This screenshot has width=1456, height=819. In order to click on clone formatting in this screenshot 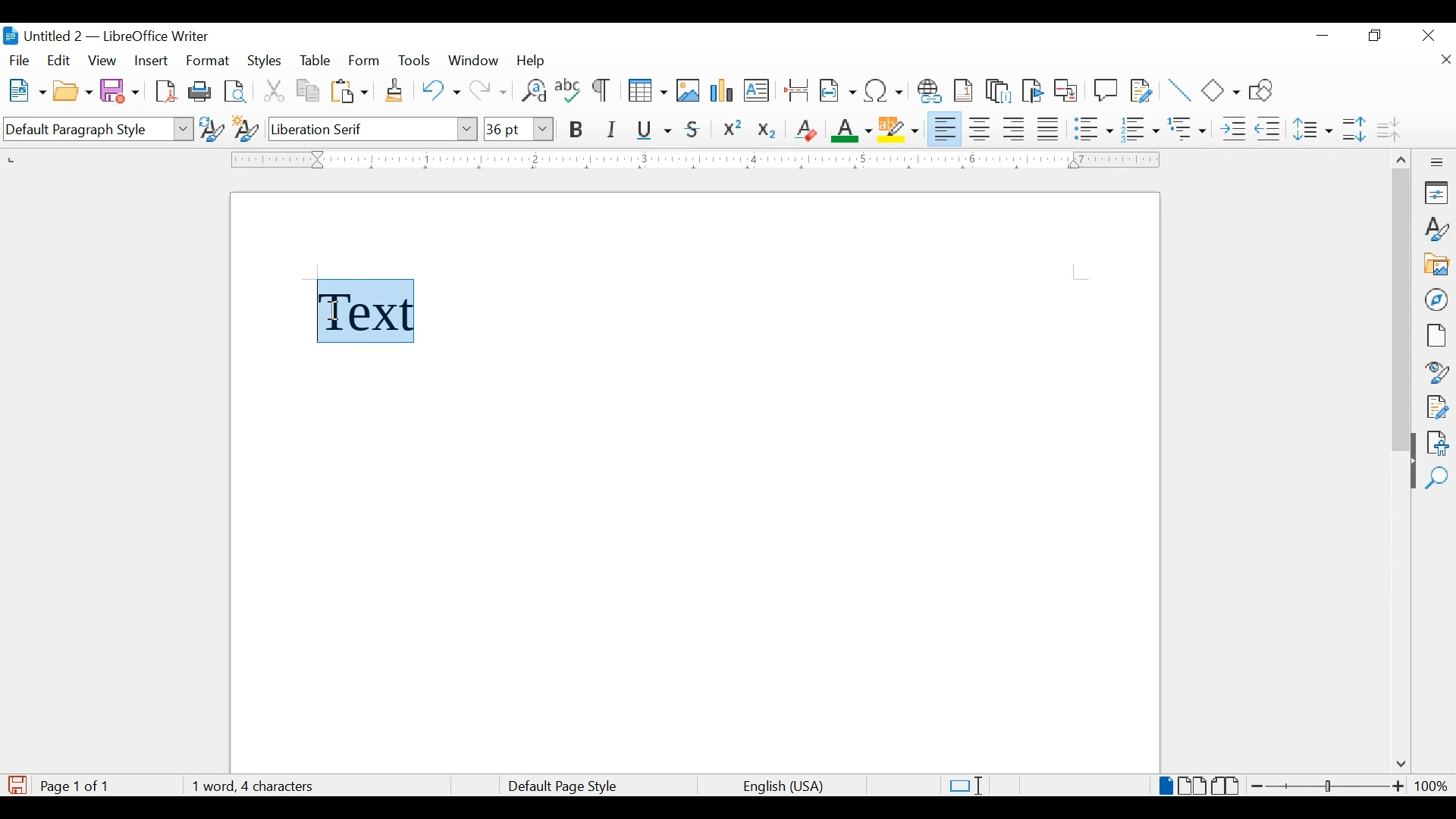, I will do `click(396, 91)`.